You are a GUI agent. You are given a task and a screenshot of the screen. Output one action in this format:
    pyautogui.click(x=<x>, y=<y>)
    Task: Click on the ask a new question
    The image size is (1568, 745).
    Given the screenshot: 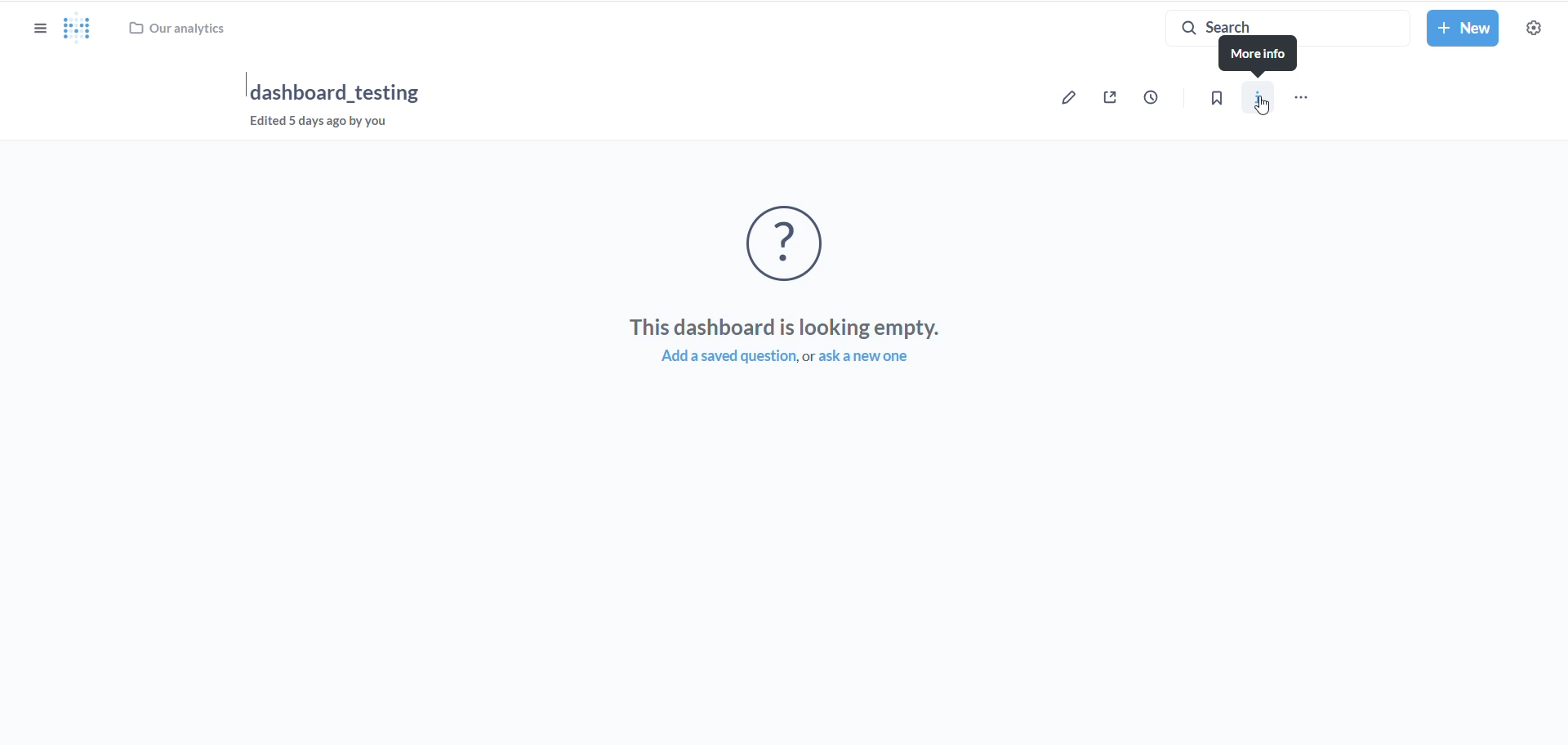 What is the action you would take?
    pyautogui.click(x=878, y=358)
    